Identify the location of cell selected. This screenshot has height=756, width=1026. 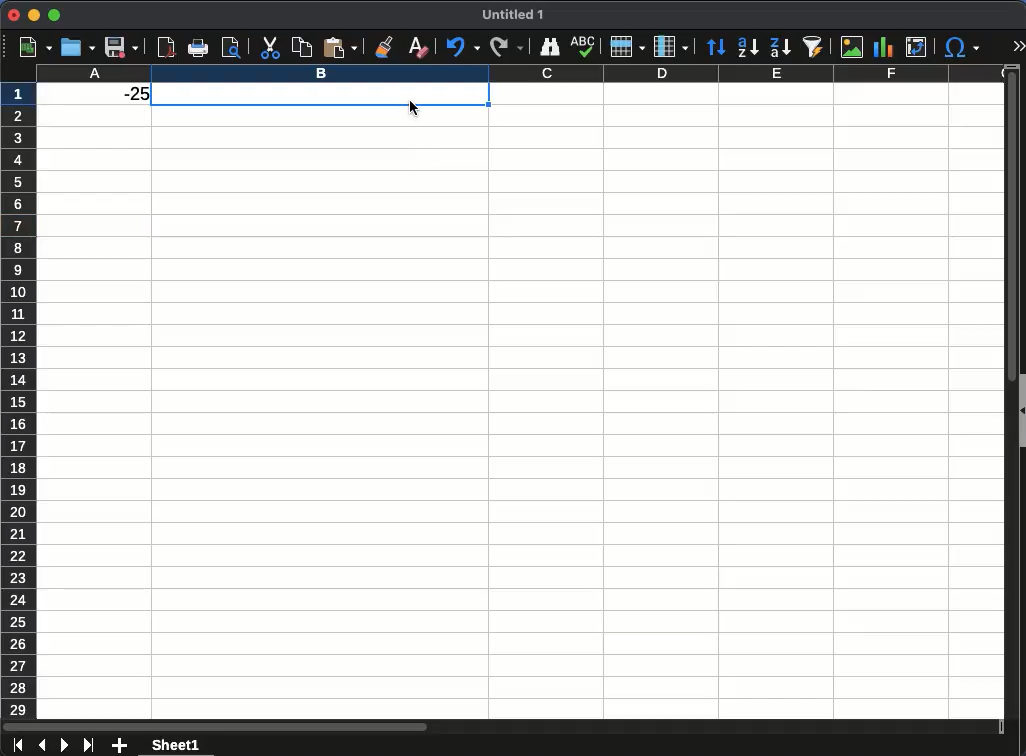
(328, 95).